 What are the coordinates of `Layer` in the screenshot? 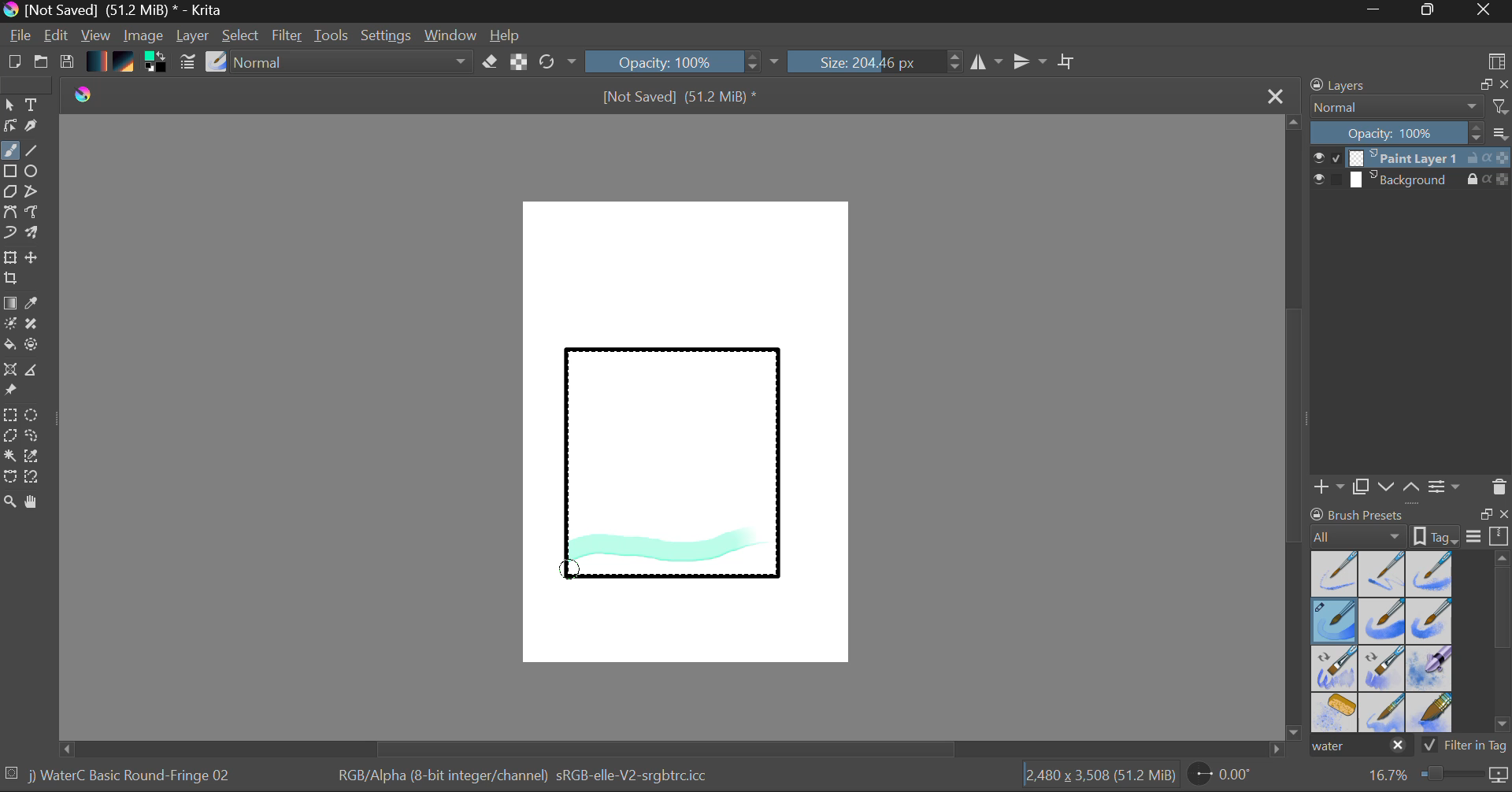 It's located at (195, 35).